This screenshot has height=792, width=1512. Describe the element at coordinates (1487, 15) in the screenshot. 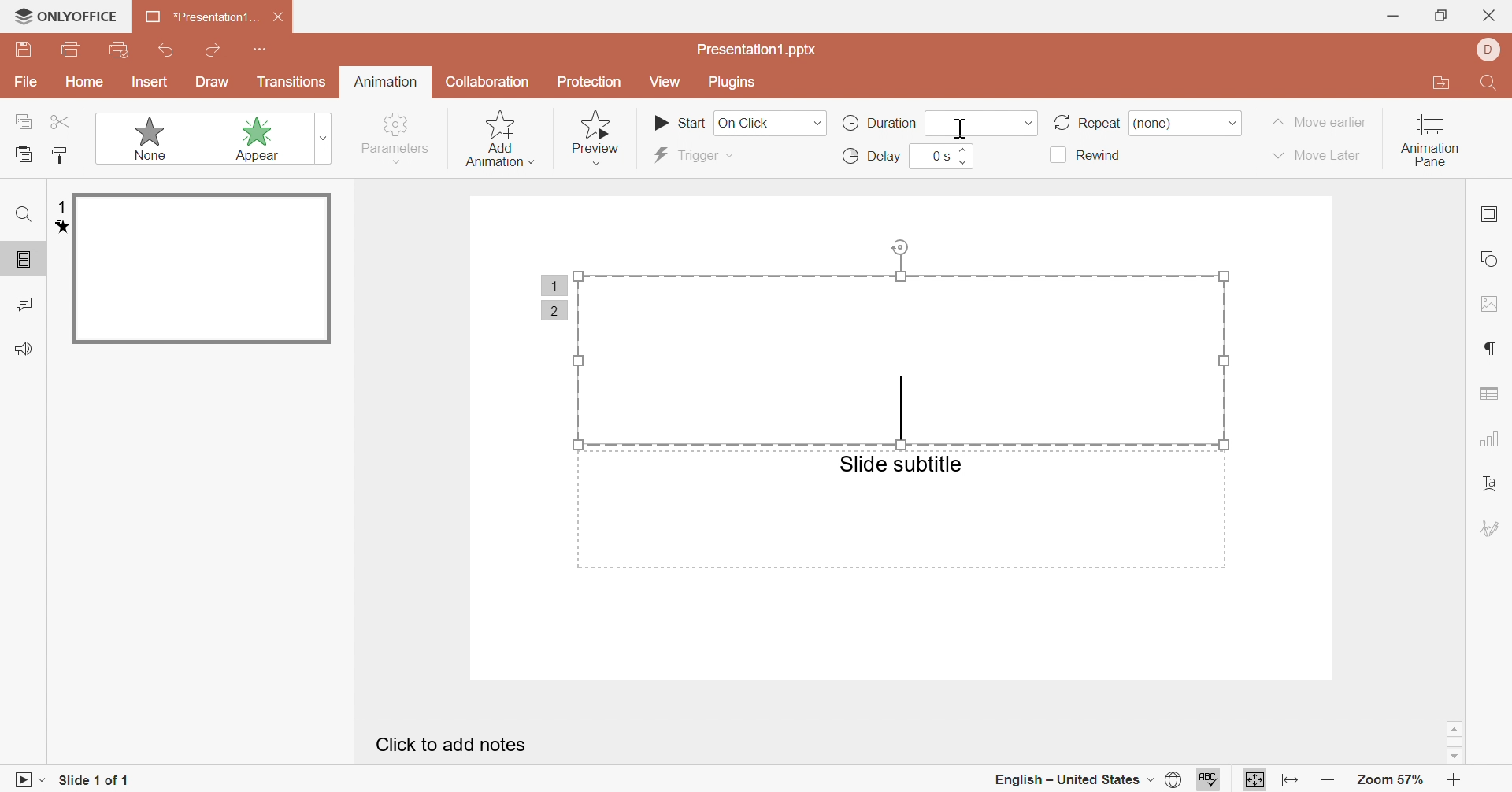

I see `close` at that location.